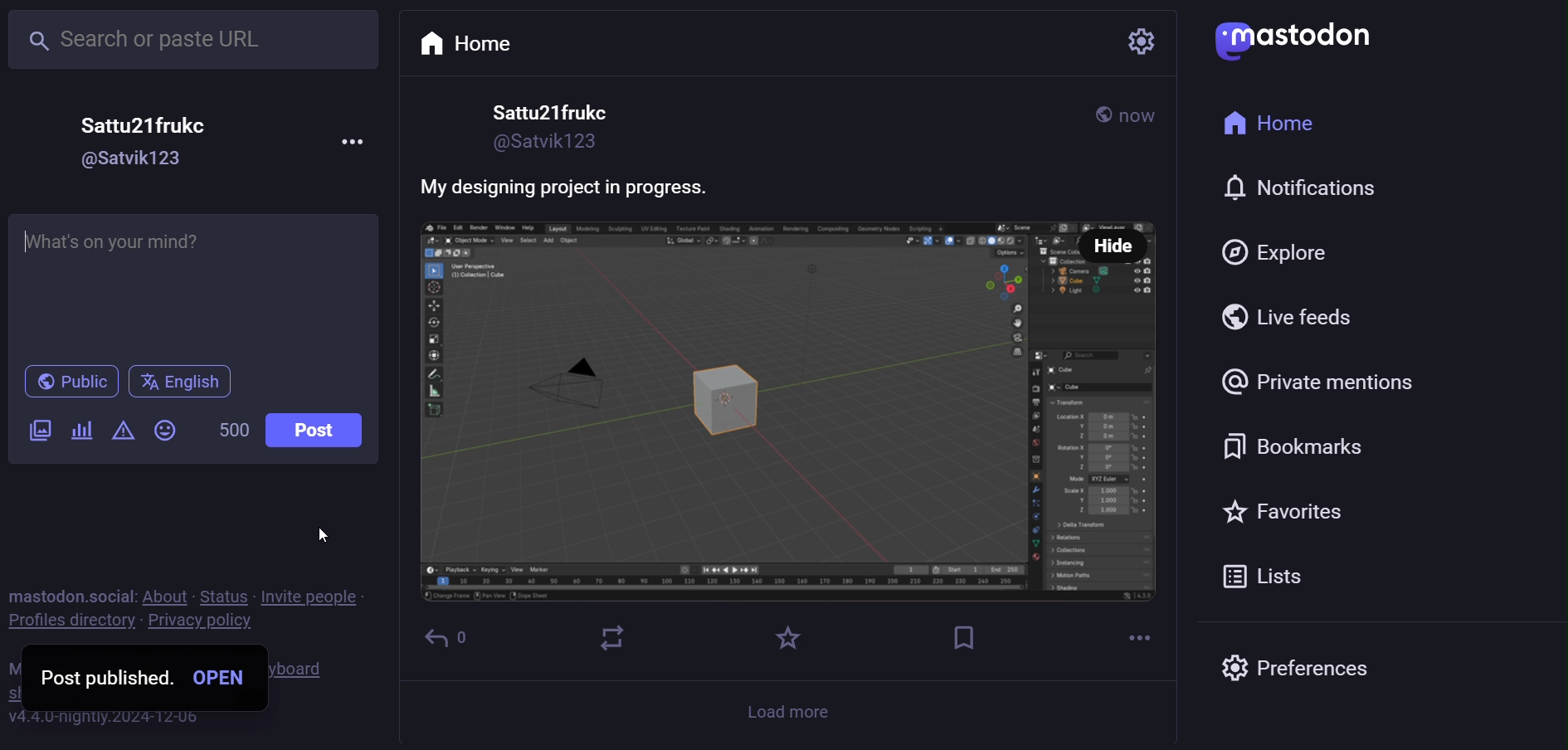 Image resolution: width=1568 pixels, height=750 pixels. I want to click on id, so click(134, 163).